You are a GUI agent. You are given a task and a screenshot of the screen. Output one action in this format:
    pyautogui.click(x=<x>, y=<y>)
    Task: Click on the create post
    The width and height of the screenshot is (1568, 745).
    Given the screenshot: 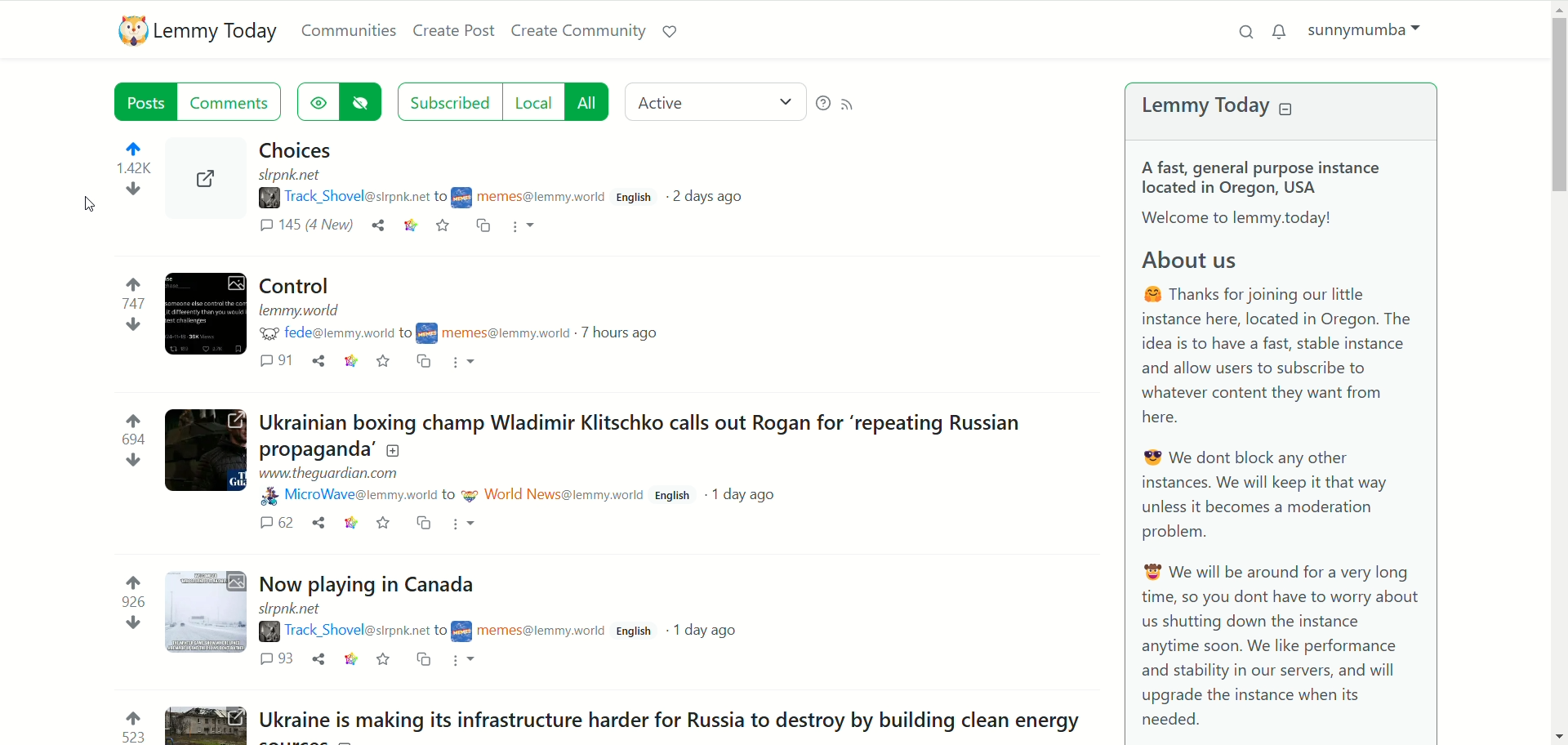 What is the action you would take?
    pyautogui.click(x=454, y=31)
    